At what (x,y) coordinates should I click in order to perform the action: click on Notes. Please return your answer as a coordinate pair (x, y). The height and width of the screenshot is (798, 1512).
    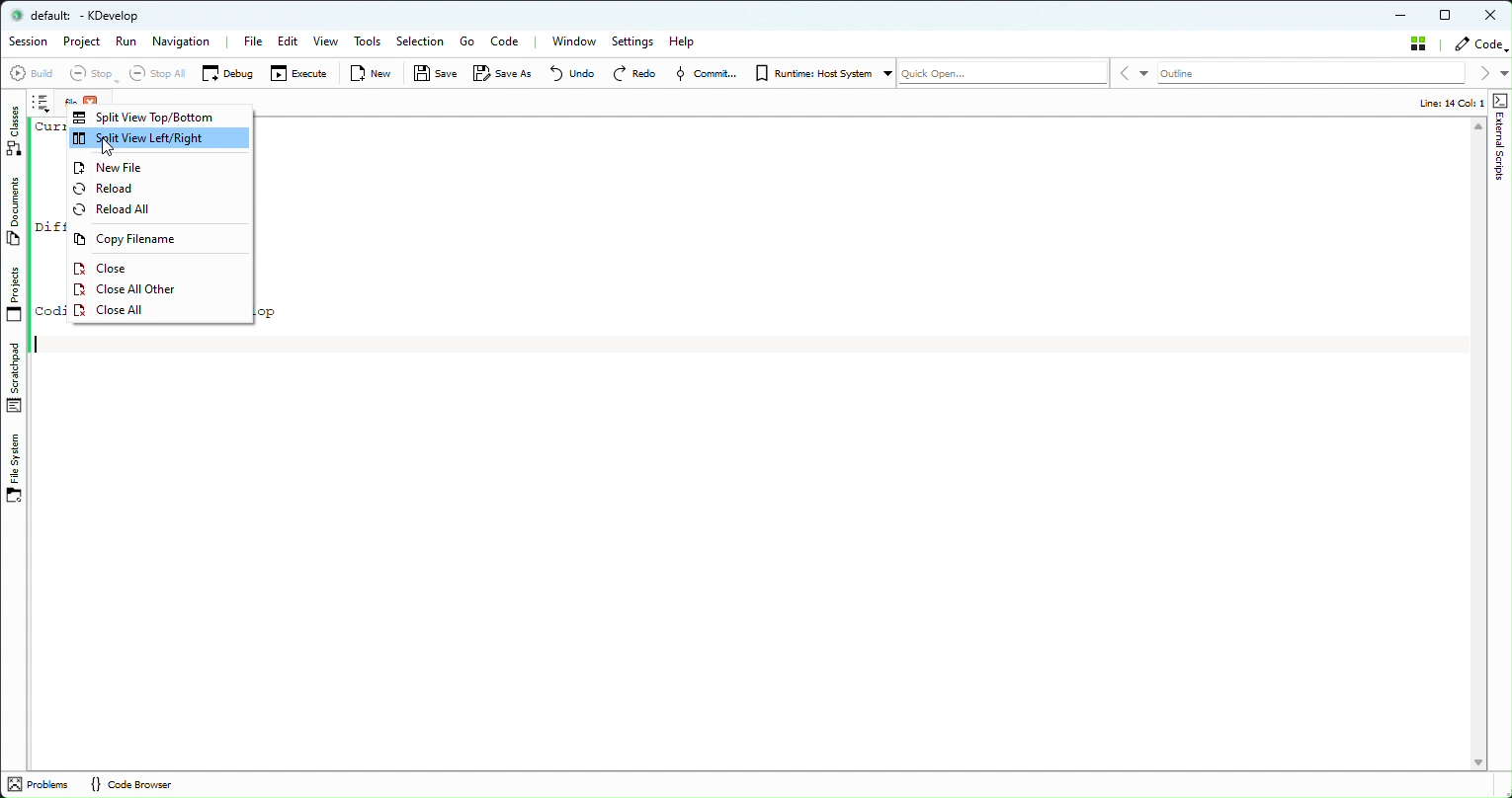
    Looking at the image, I should click on (42, 104).